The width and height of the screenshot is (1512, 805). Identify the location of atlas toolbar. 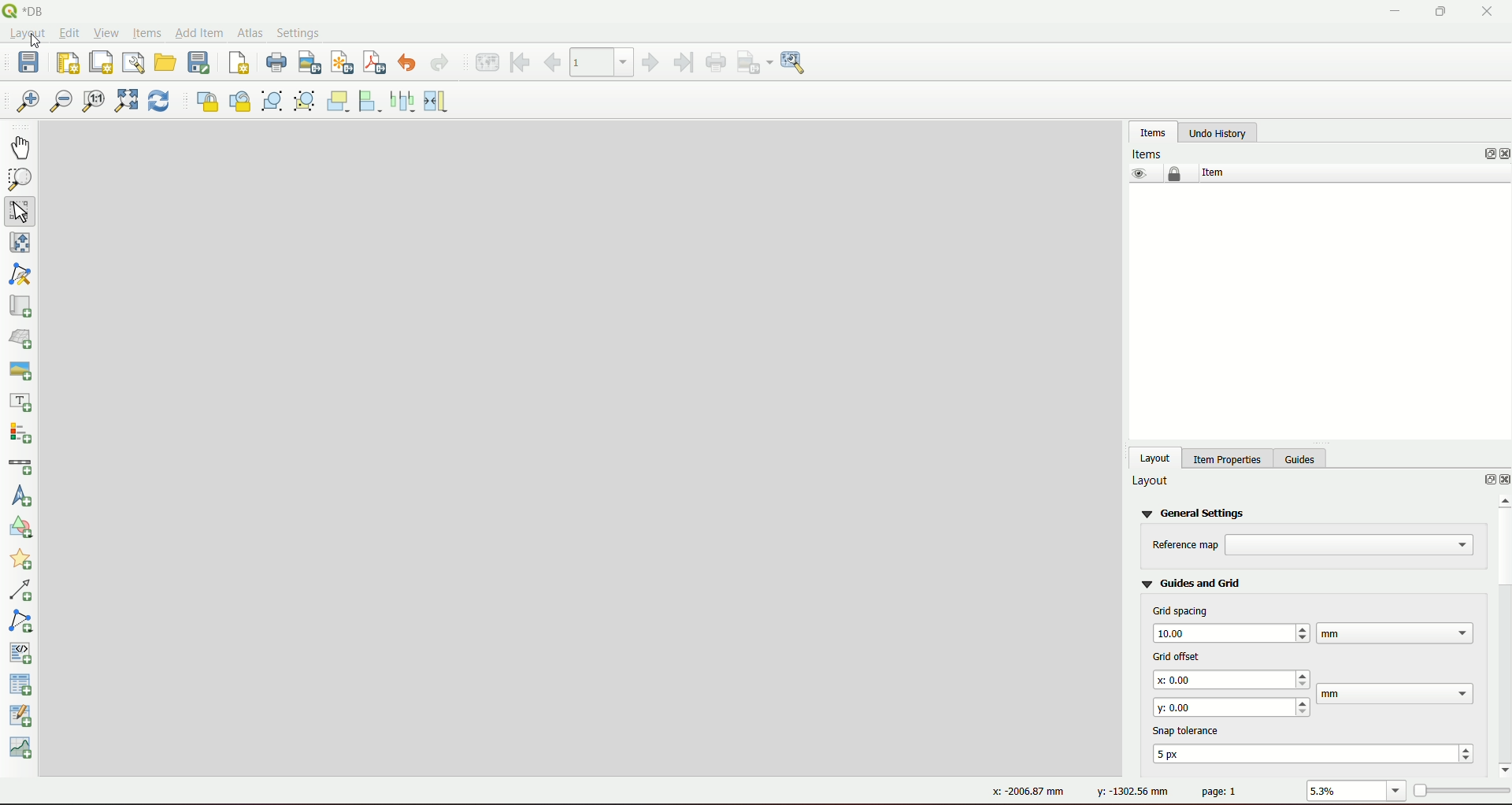
(602, 61).